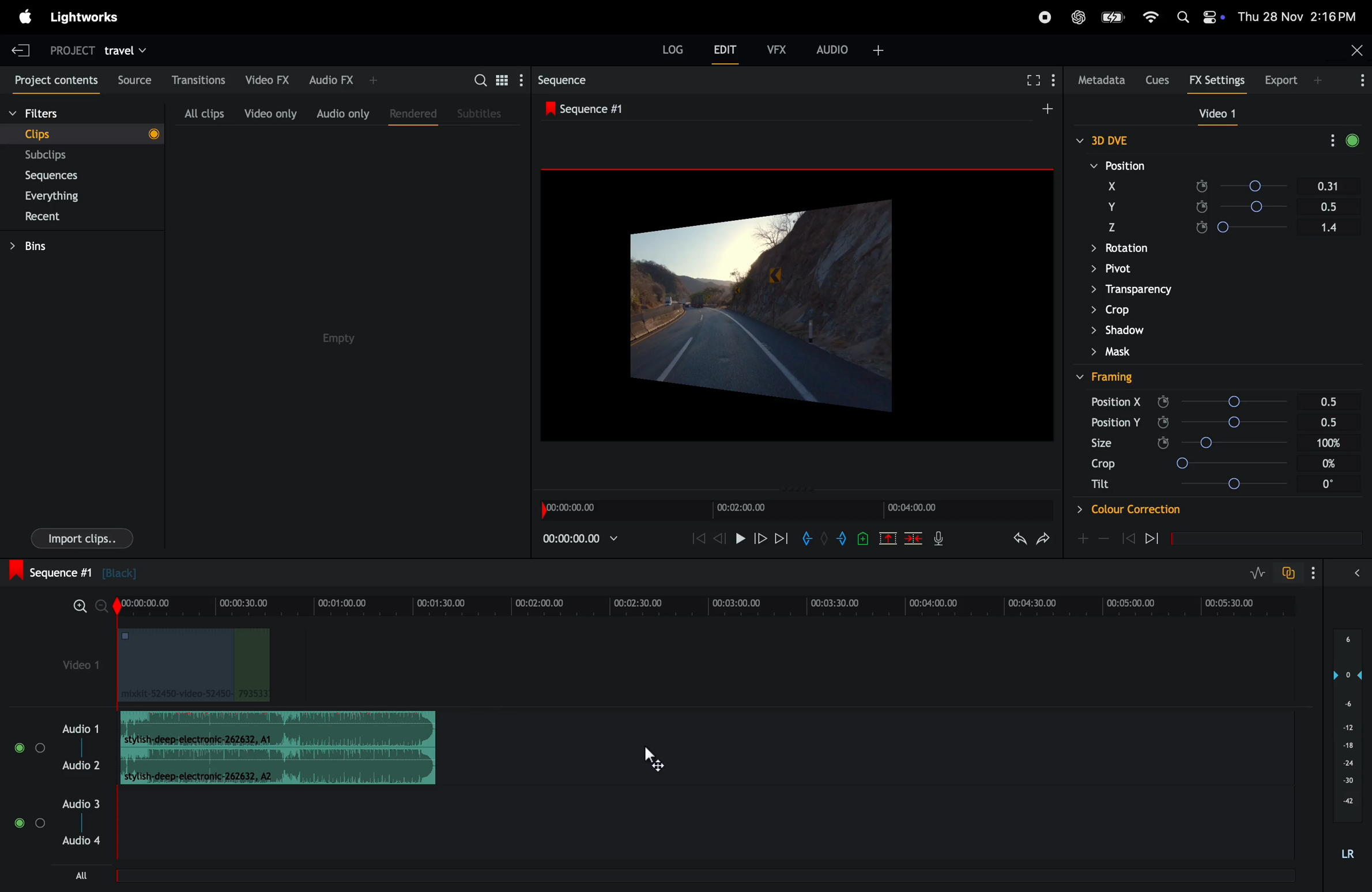 The image size is (1372, 892). Describe the element at coordinates (1321, 573) in the screenshot. I see `options` at that location.